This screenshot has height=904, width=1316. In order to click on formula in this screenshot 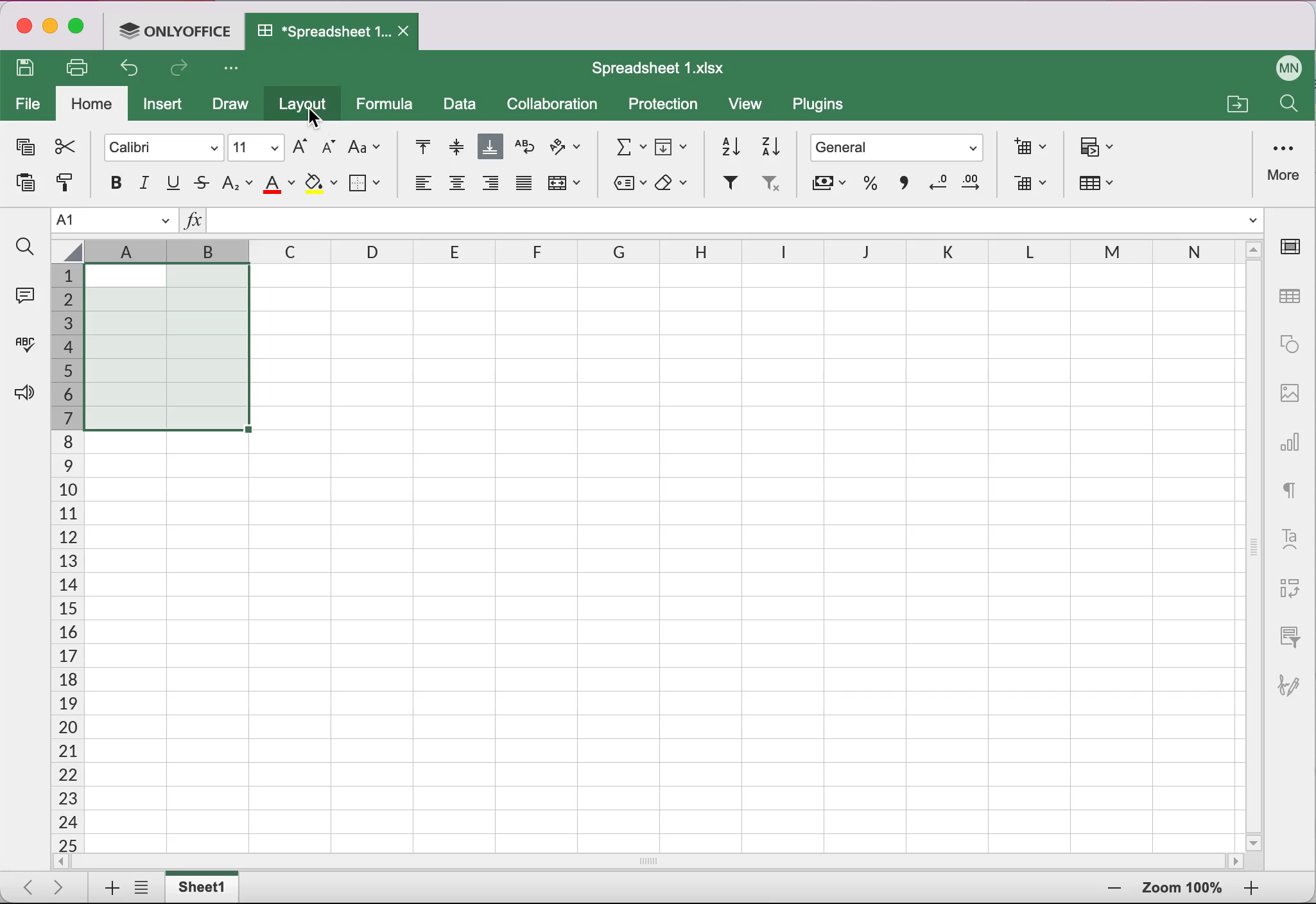, I will do `click(388, 104)`.